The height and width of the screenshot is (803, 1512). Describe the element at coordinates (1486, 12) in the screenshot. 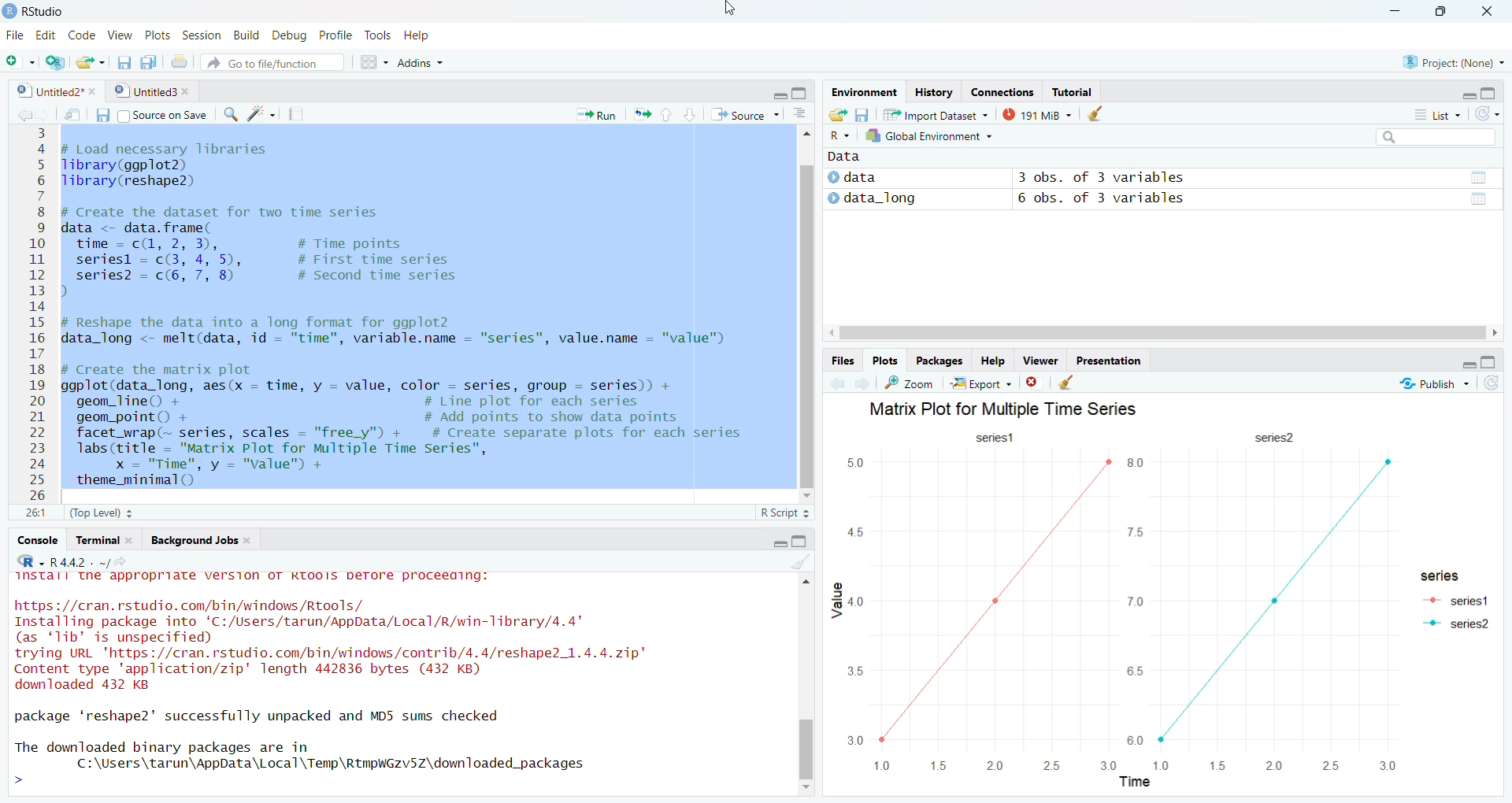

I see `Close` at that location.